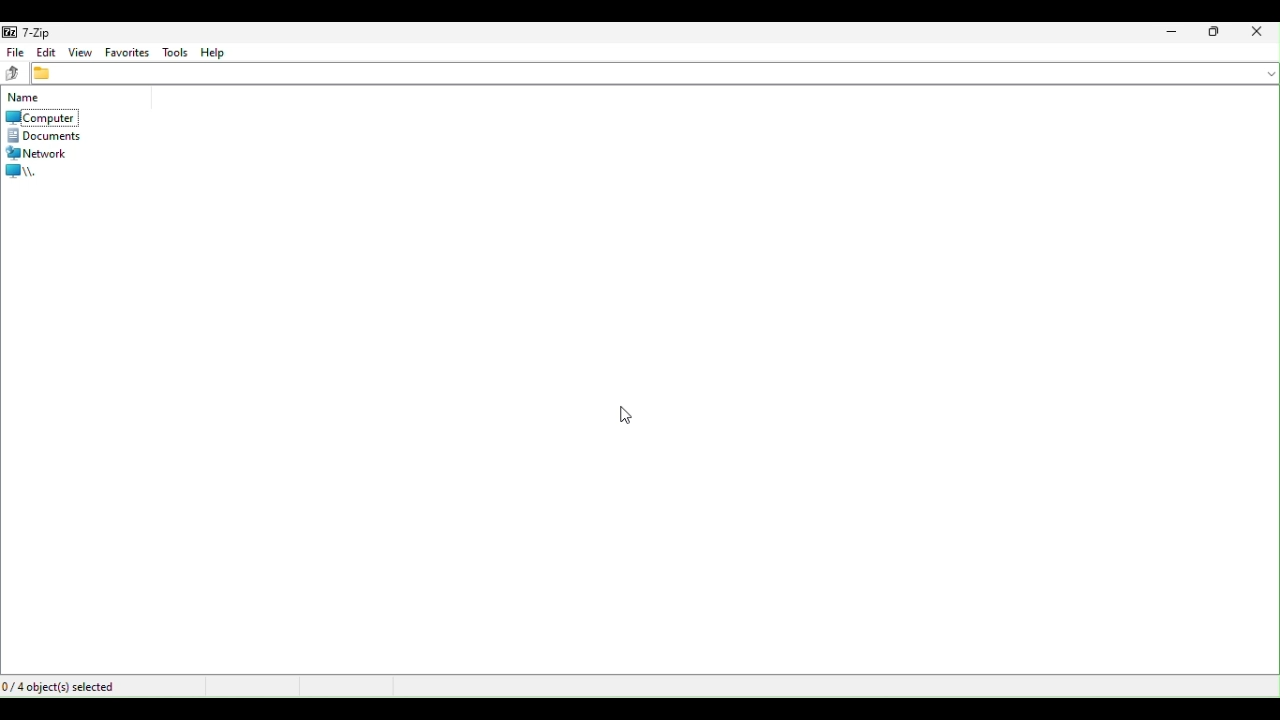 The height and width of the screenshot is (720, 1280). Describe the element at coordinates (1260, 33) in the screenshot. I see `Close` at that location.